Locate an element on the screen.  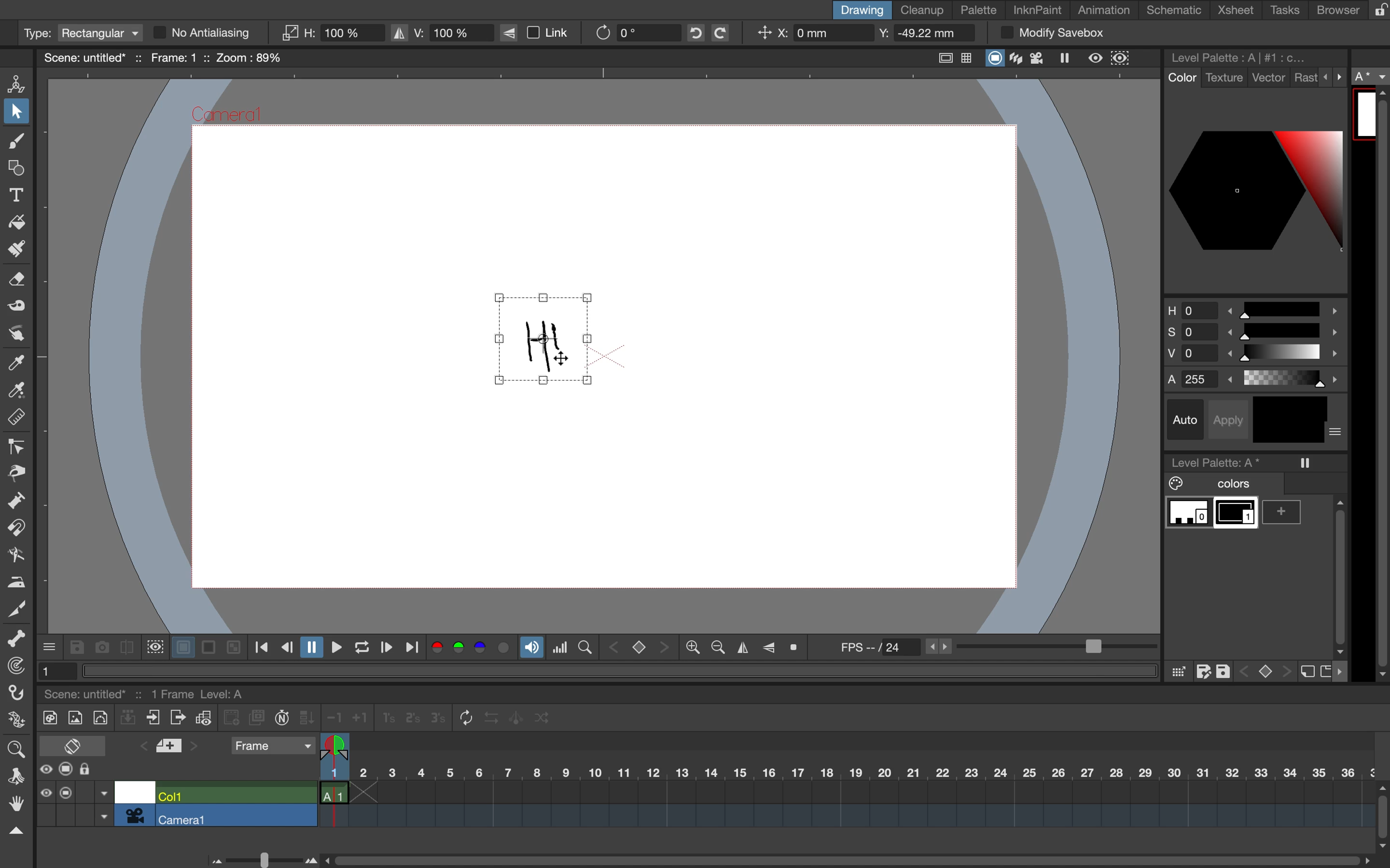
horizontal scaling is located at coordinates (332, 33).